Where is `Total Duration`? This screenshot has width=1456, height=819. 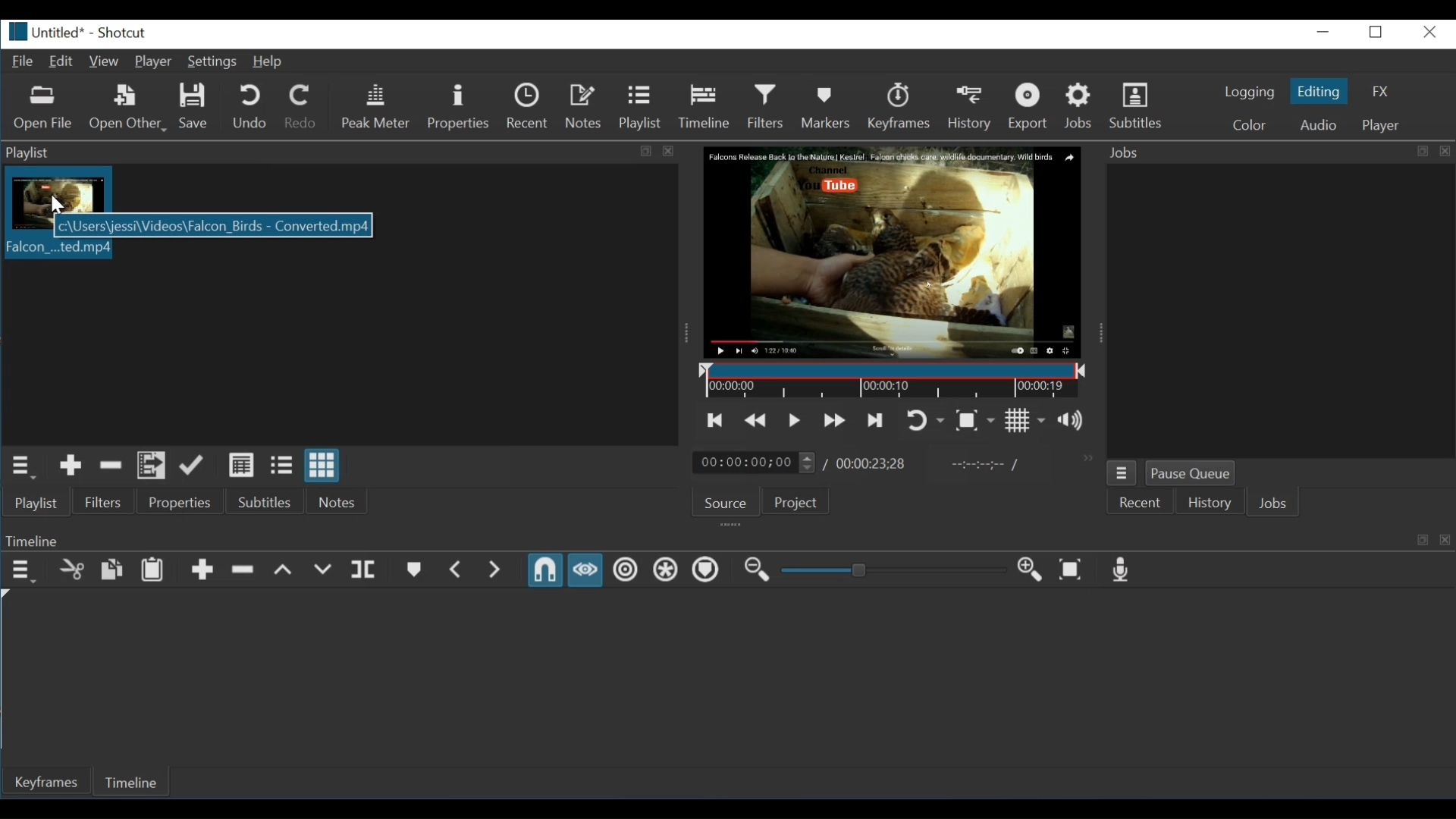 Total Duration is located at coordinates (871, 465).